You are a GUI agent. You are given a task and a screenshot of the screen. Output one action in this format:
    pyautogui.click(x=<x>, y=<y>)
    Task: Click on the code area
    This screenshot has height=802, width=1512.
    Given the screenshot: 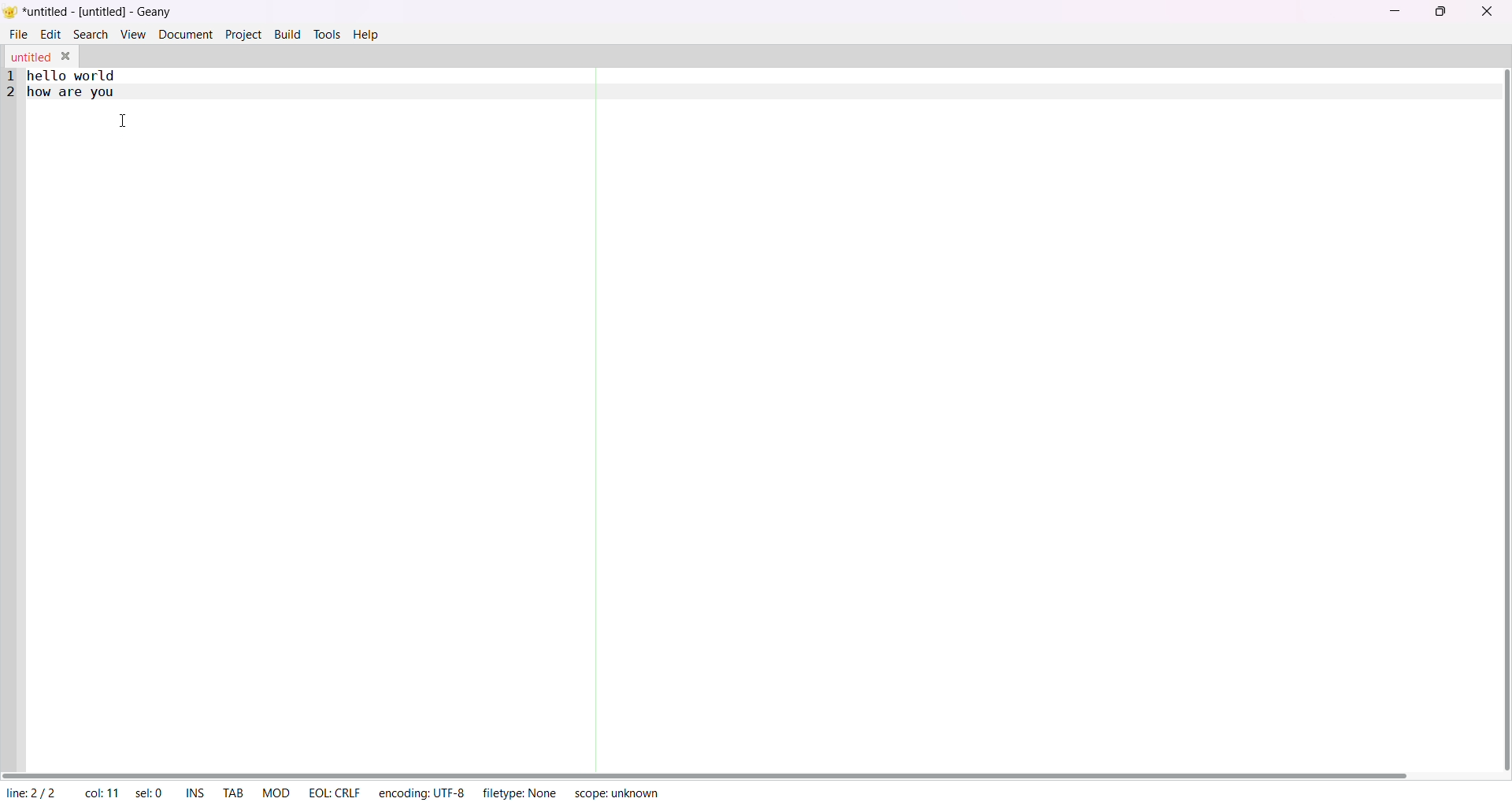 What is the action you would take?
    pyautogui.click(x=746, y=441)
    